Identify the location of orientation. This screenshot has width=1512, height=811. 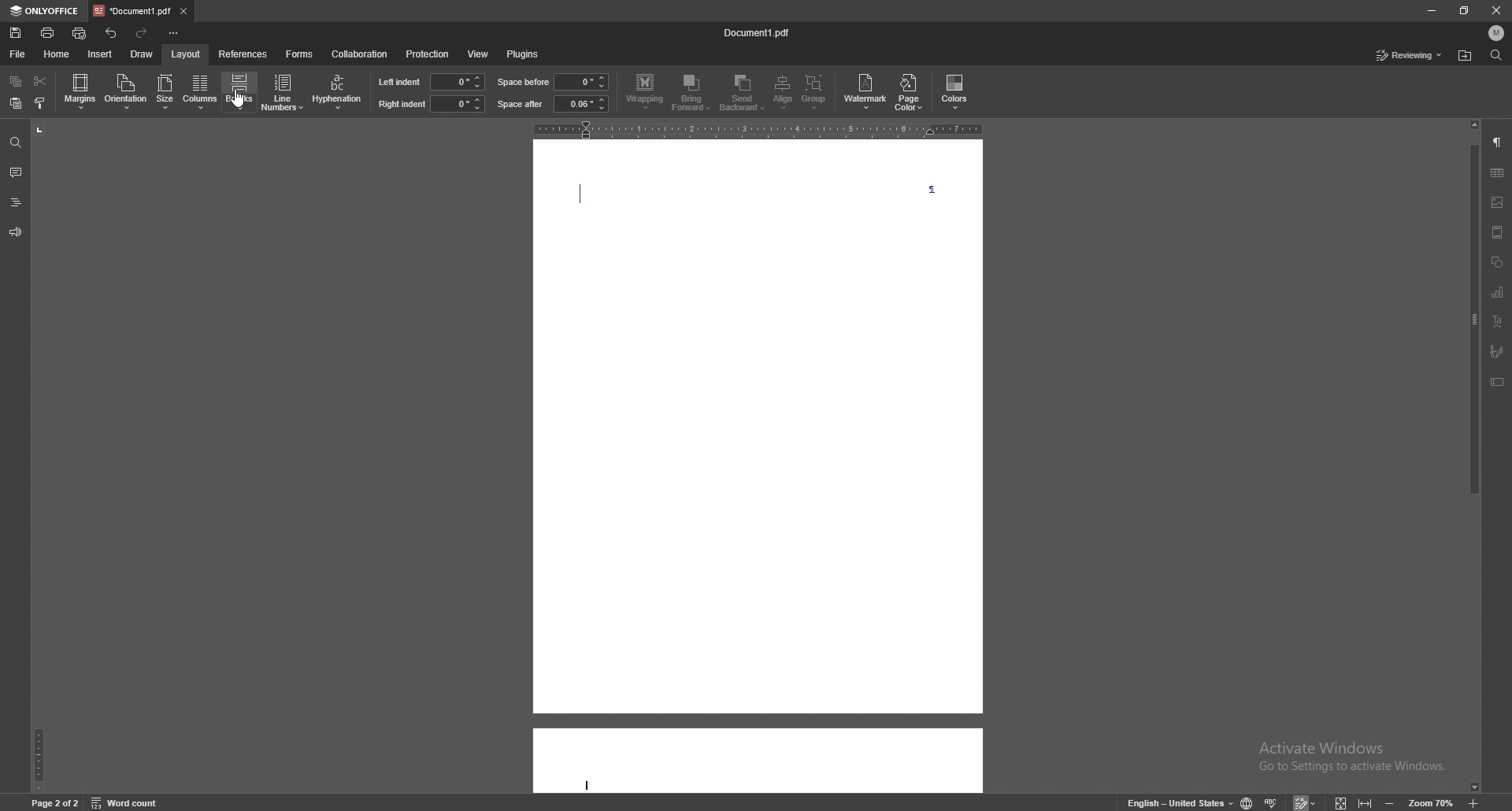
(127, 91).